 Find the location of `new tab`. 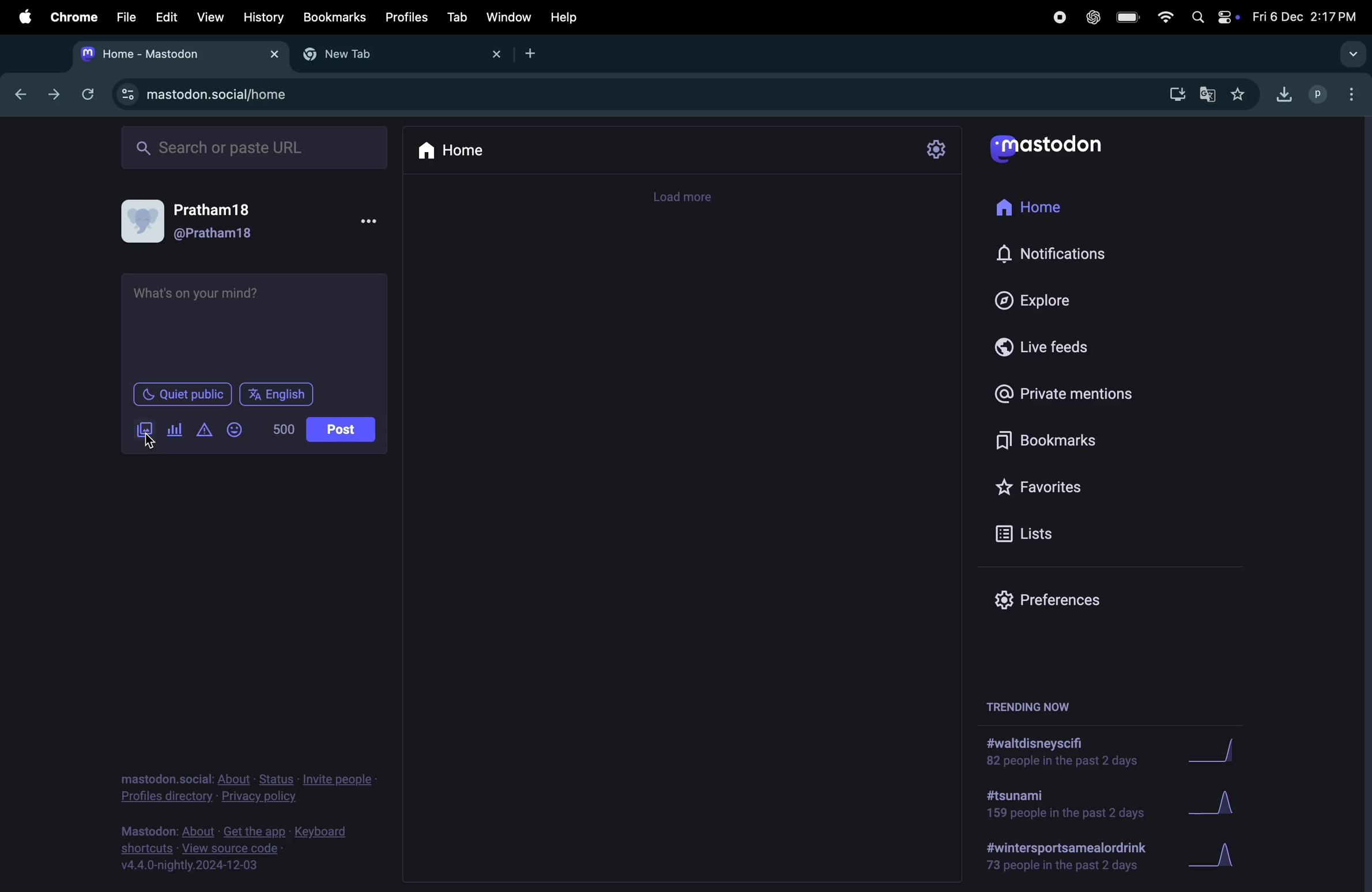

new tab is located at coordinates (397, 55).